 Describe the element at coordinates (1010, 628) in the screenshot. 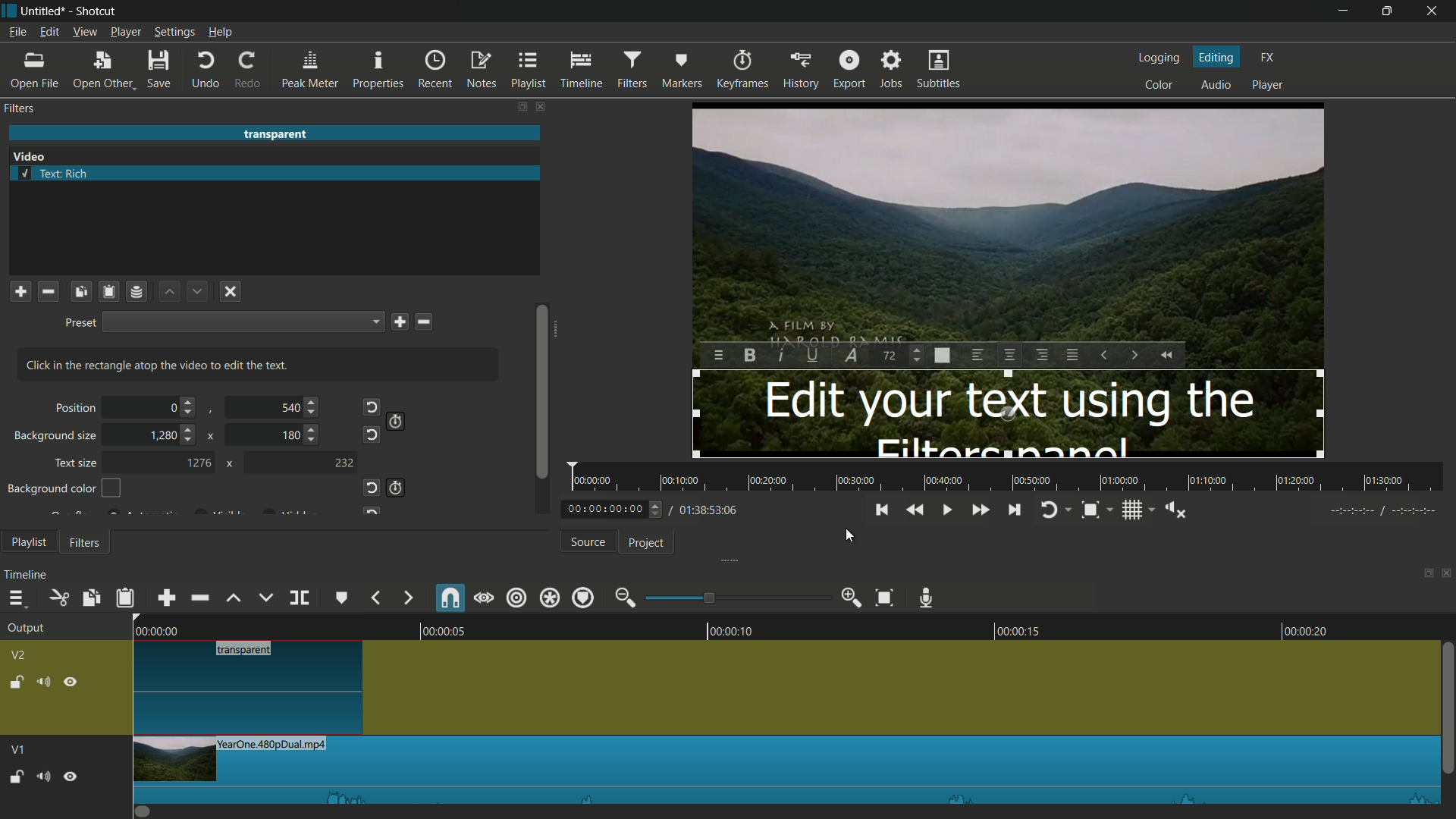

I see `00:00:15` at that location.